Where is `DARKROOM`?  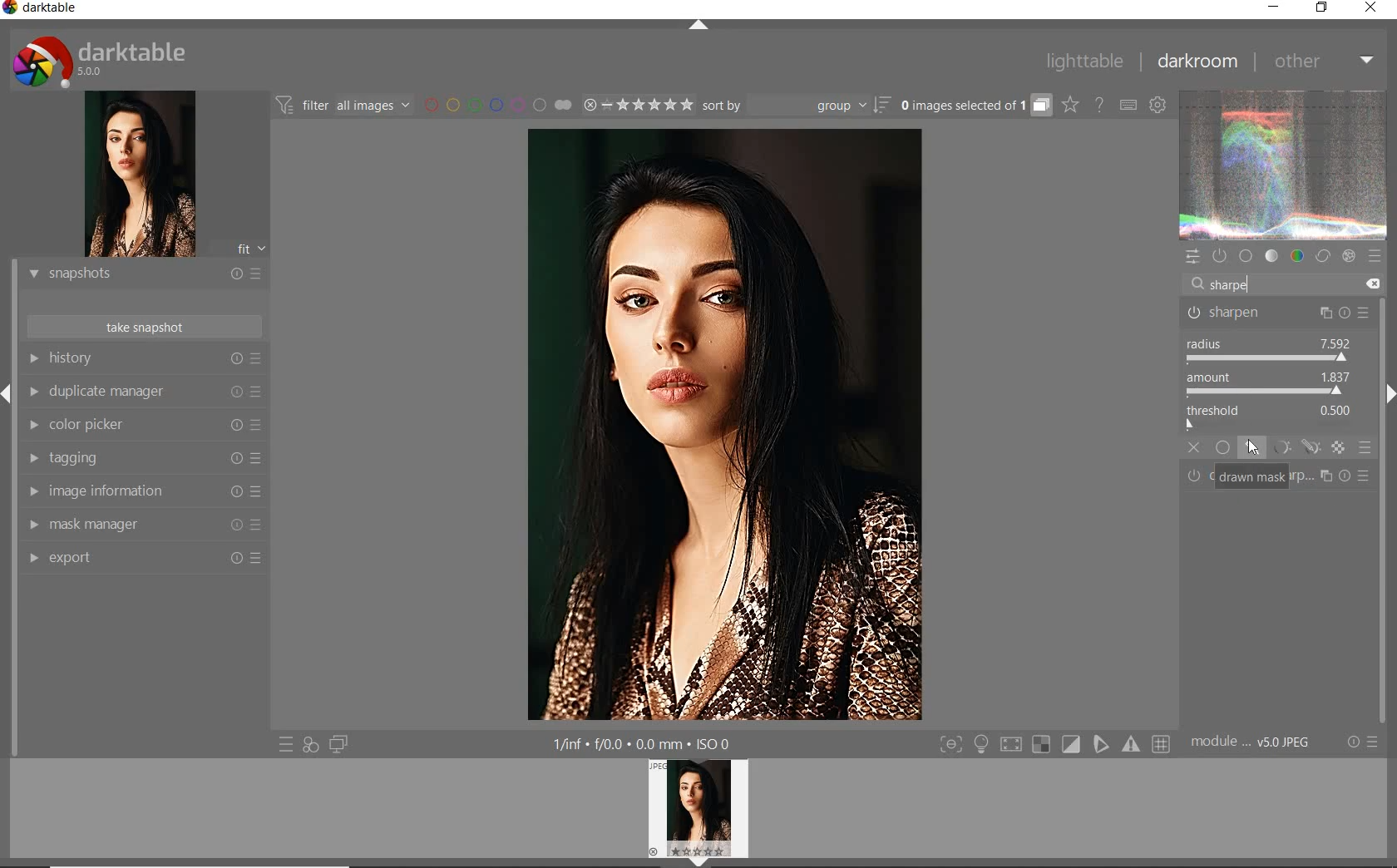 DARKROOM is located at coordinates (1197, 62).